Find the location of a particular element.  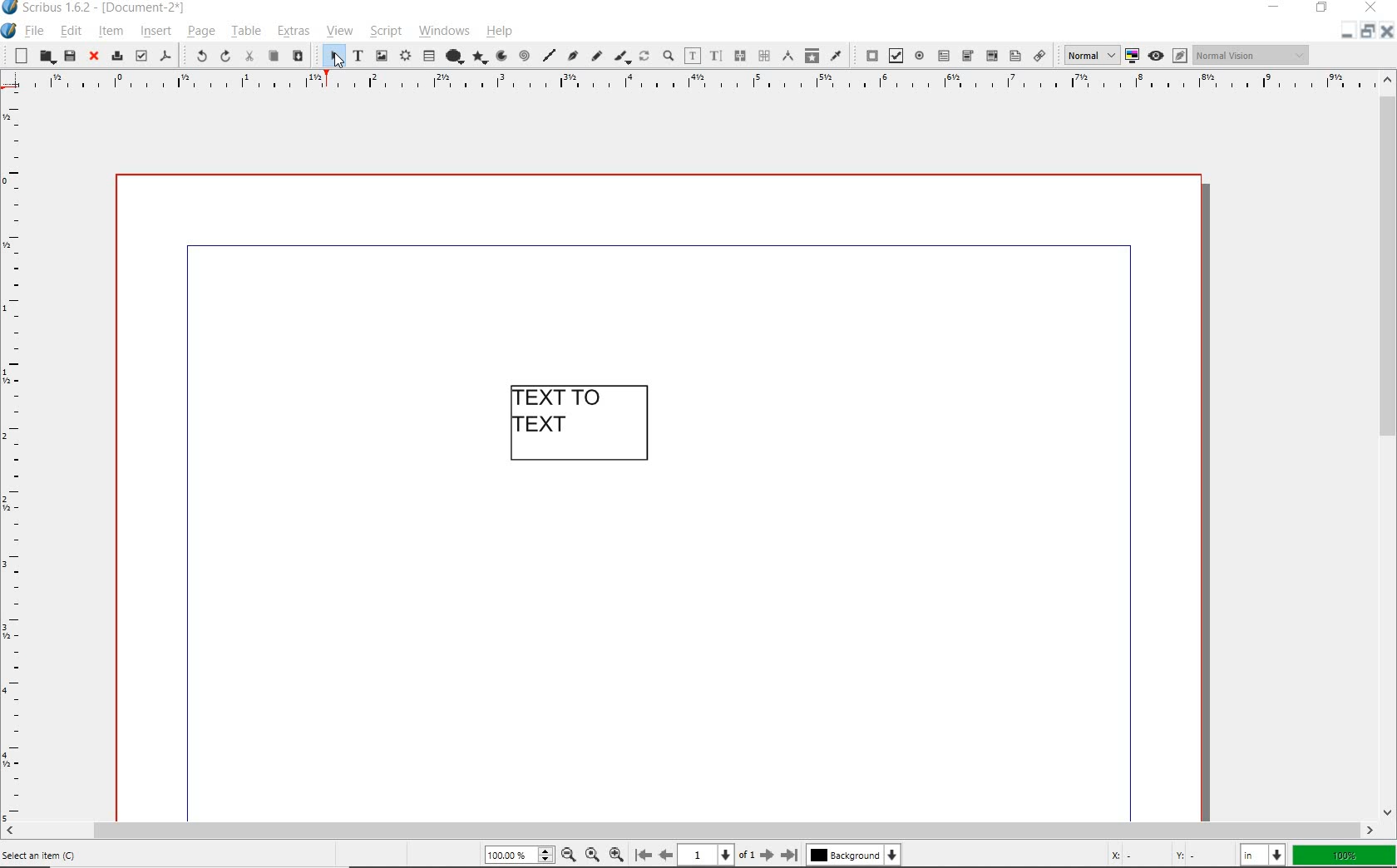

move to previous is located at coordinates (665, 856).